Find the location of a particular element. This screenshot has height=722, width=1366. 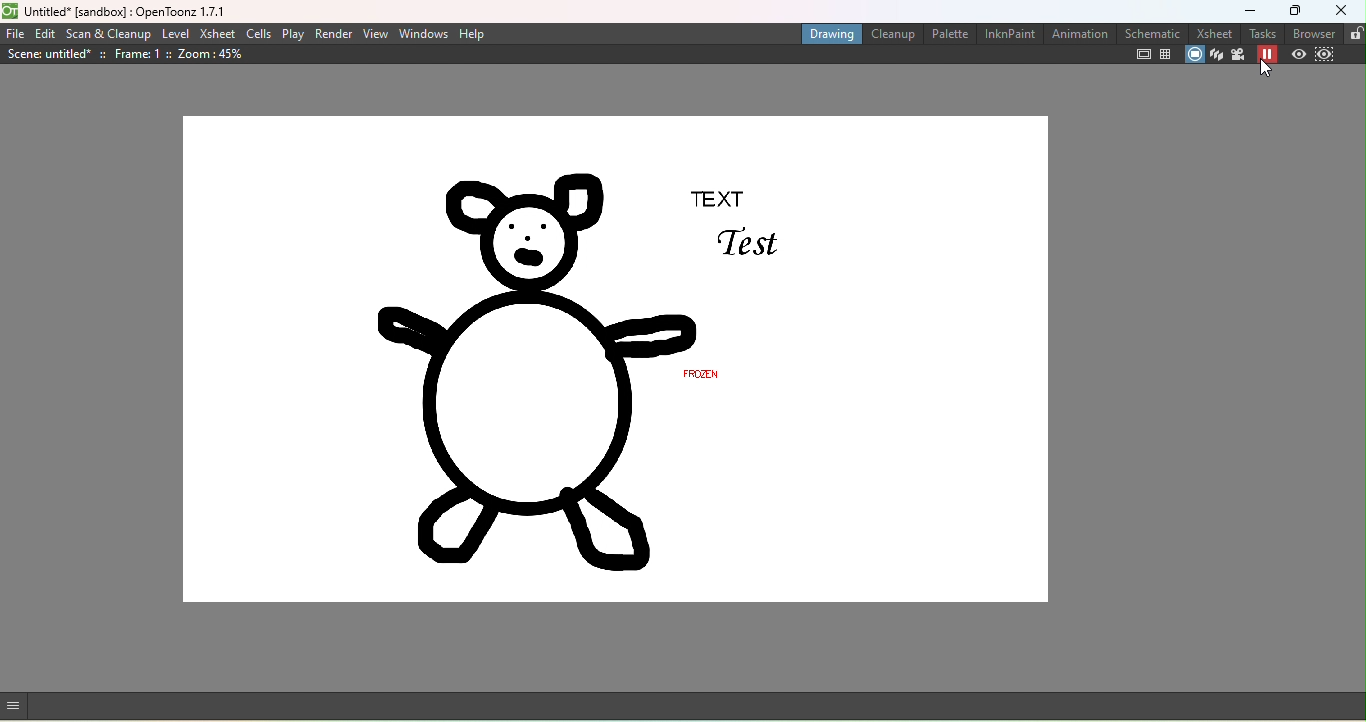

Cleanup is located at coordinates (892, 34).